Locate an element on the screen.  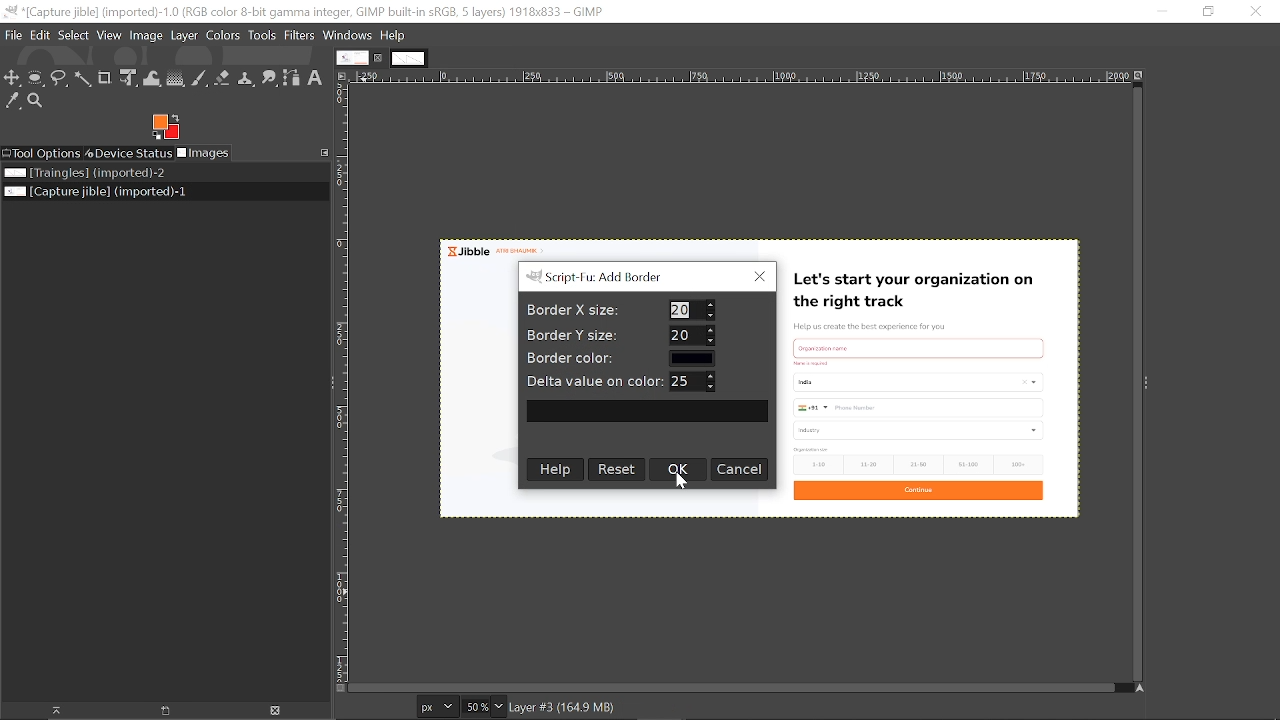
Filters is located at coordinates (300, 35).